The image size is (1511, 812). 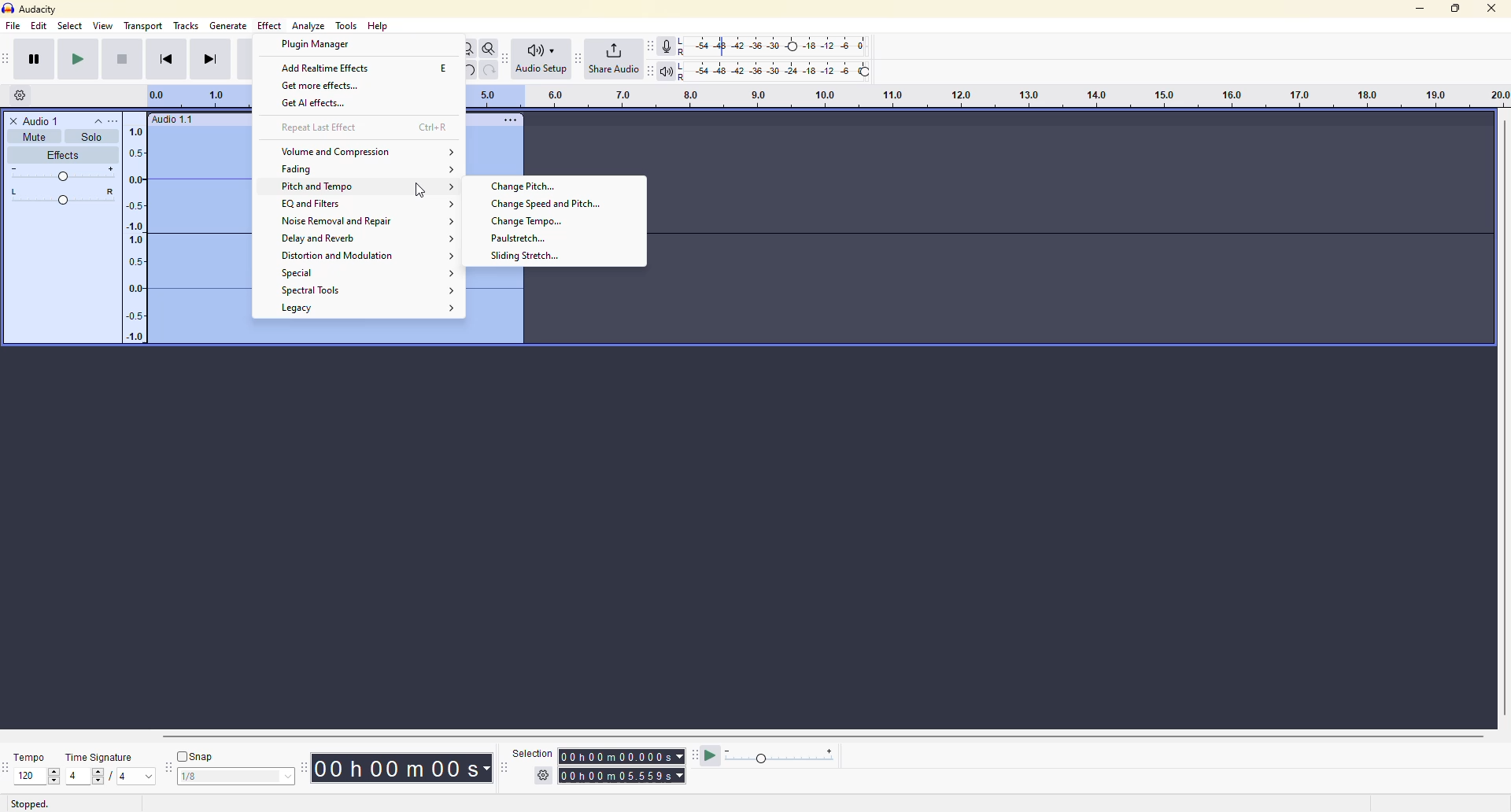 What do you see at coordinates (408, 767) in the screenshot?
I see `time` at bounding box center [408, 767].